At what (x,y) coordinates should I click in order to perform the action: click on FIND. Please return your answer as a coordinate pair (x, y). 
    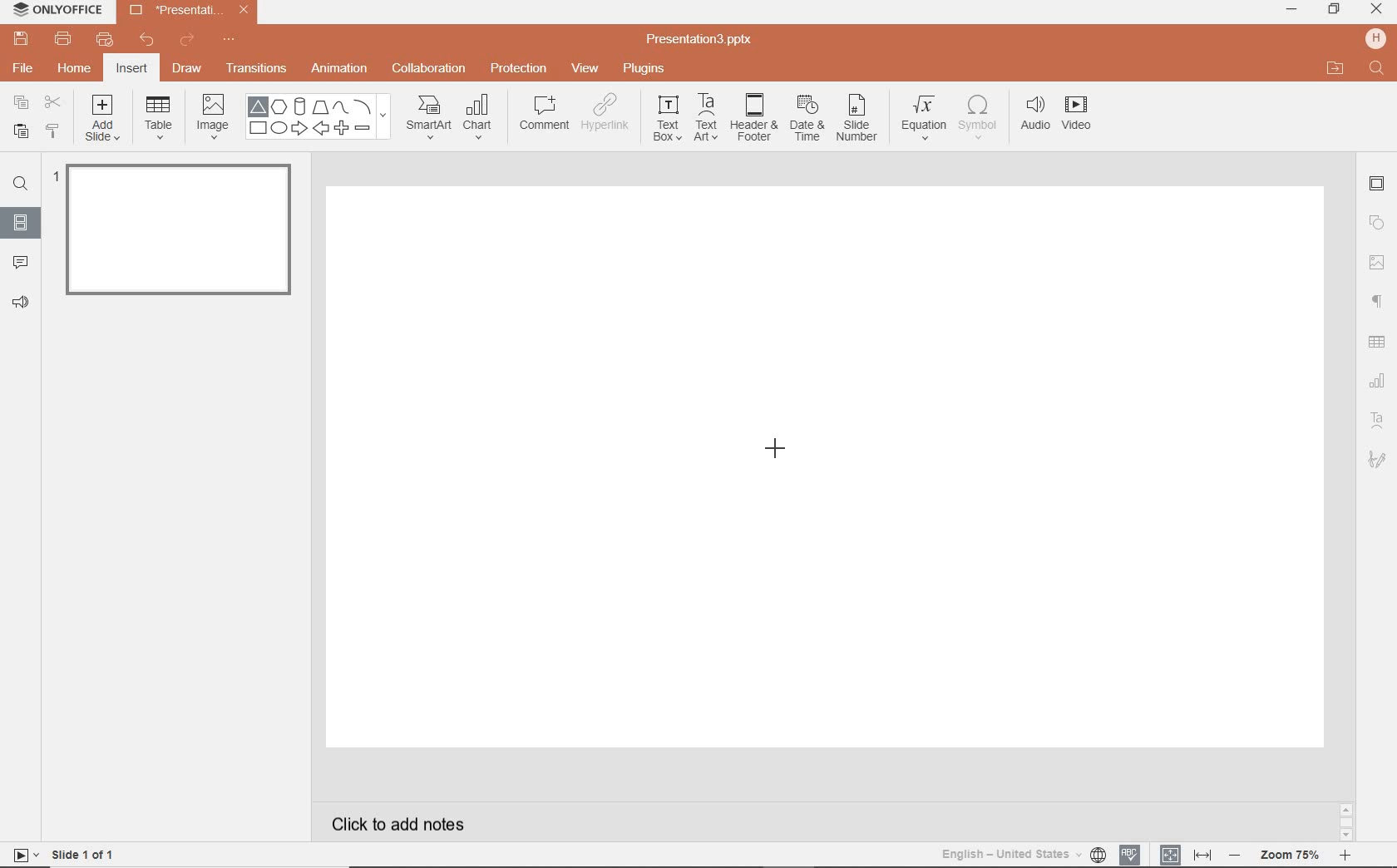
    Looking at the image, I should click on (20, 186).